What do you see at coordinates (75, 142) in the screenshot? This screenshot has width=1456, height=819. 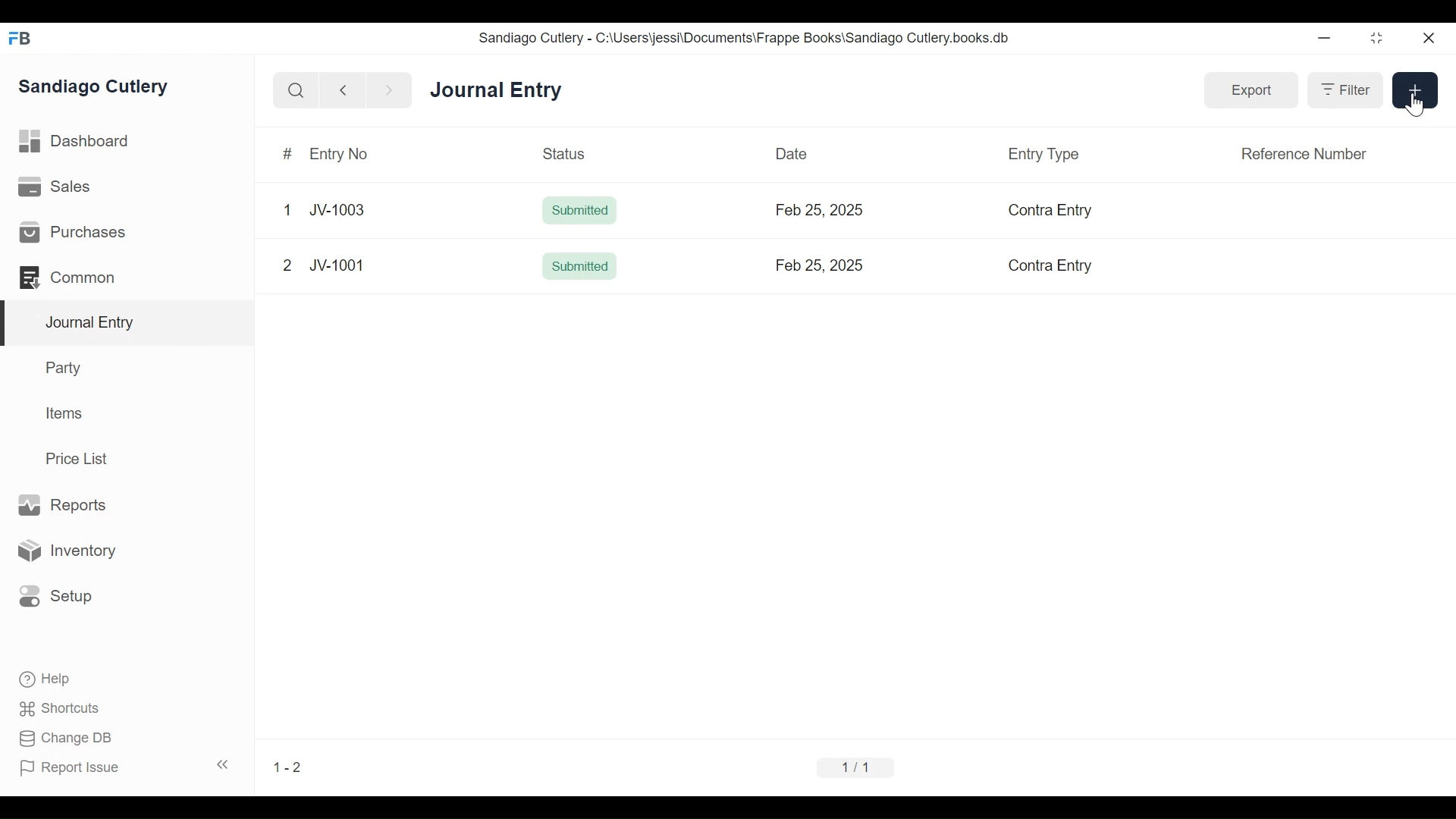 I see `Dashboard` at bounding box center [75, 142].